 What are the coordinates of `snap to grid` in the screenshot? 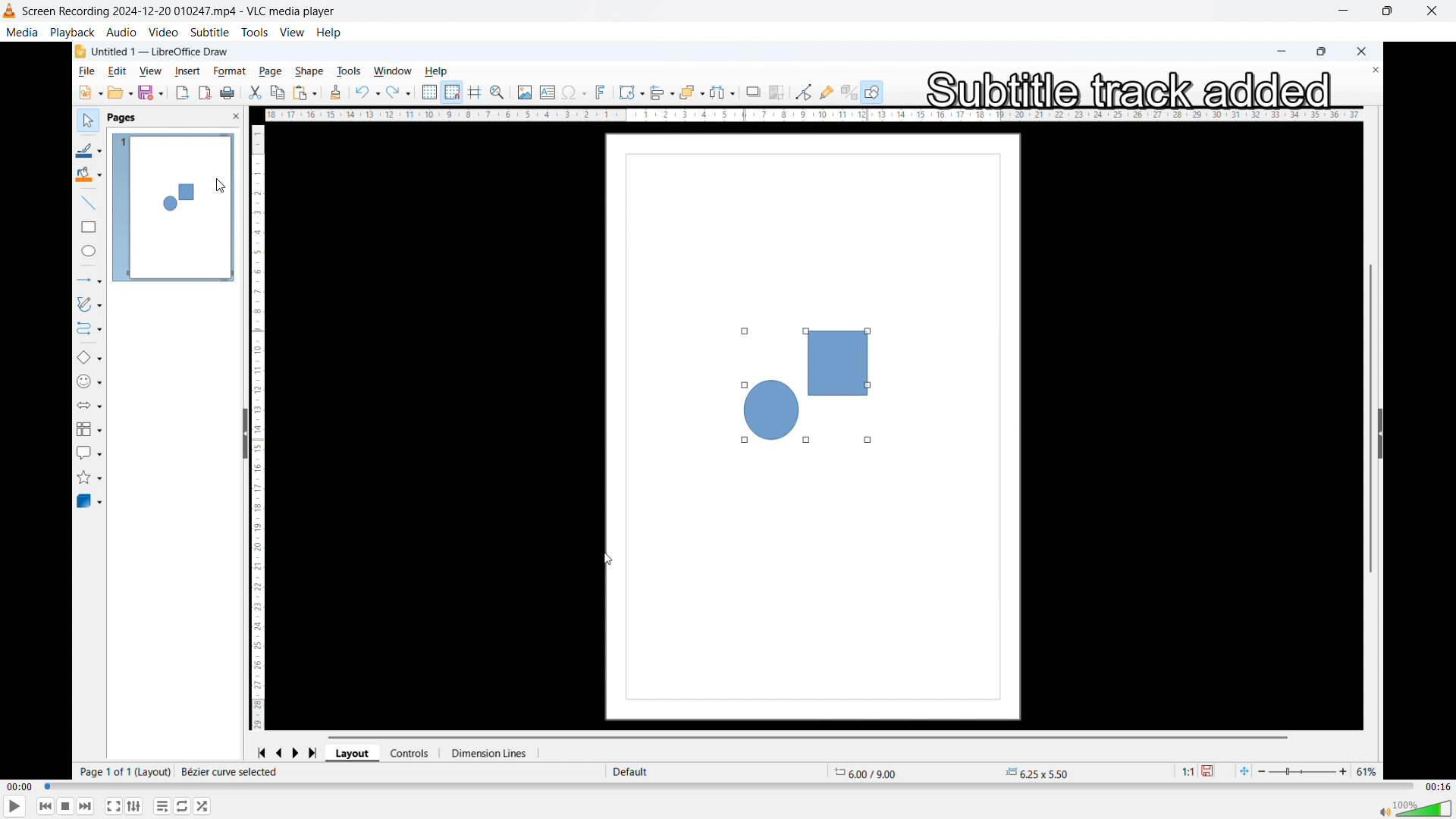 It's located at (453, 93).